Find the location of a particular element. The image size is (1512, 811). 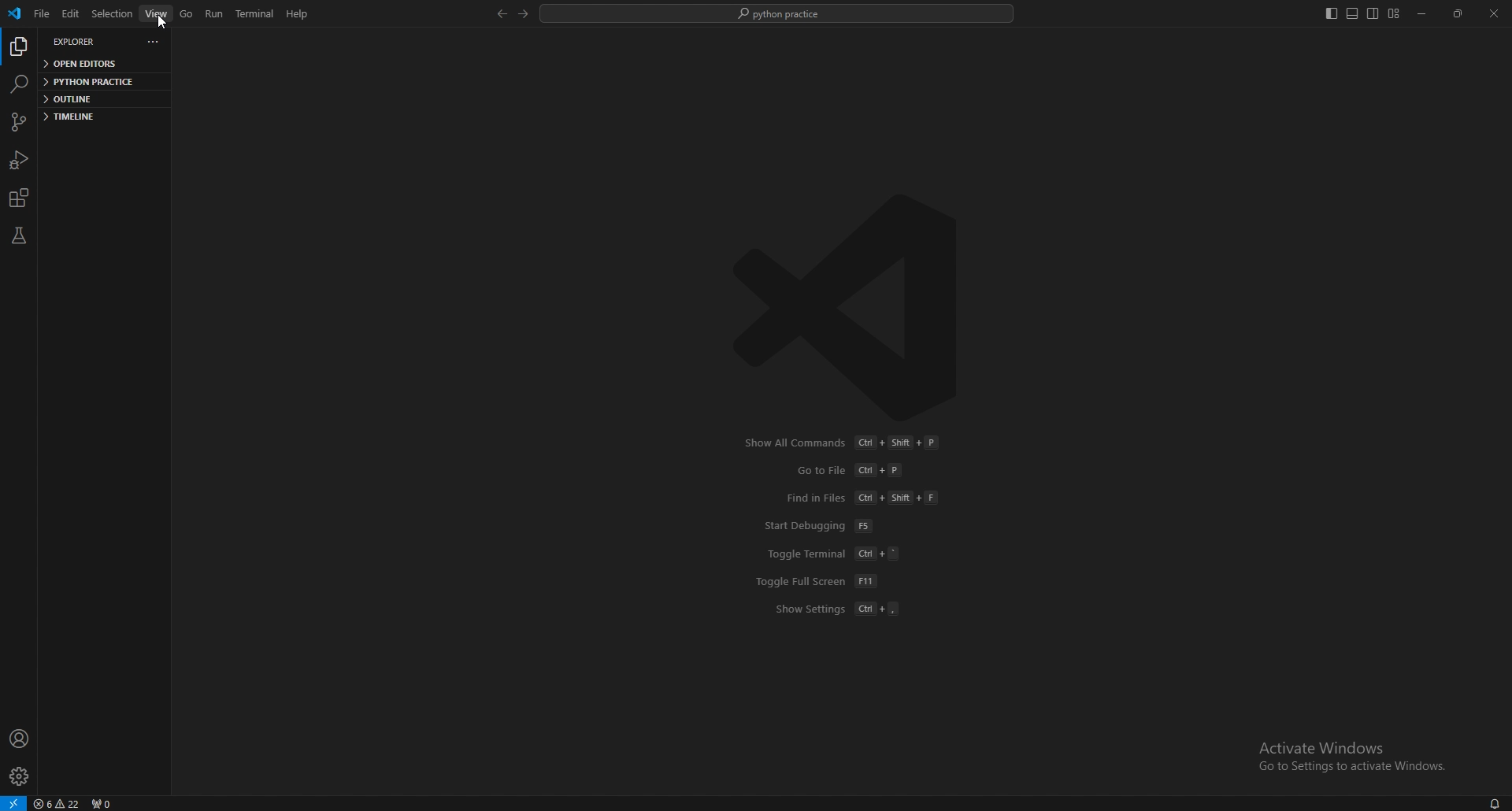

toggle primary side bar is located at coordinates (1330, 13).